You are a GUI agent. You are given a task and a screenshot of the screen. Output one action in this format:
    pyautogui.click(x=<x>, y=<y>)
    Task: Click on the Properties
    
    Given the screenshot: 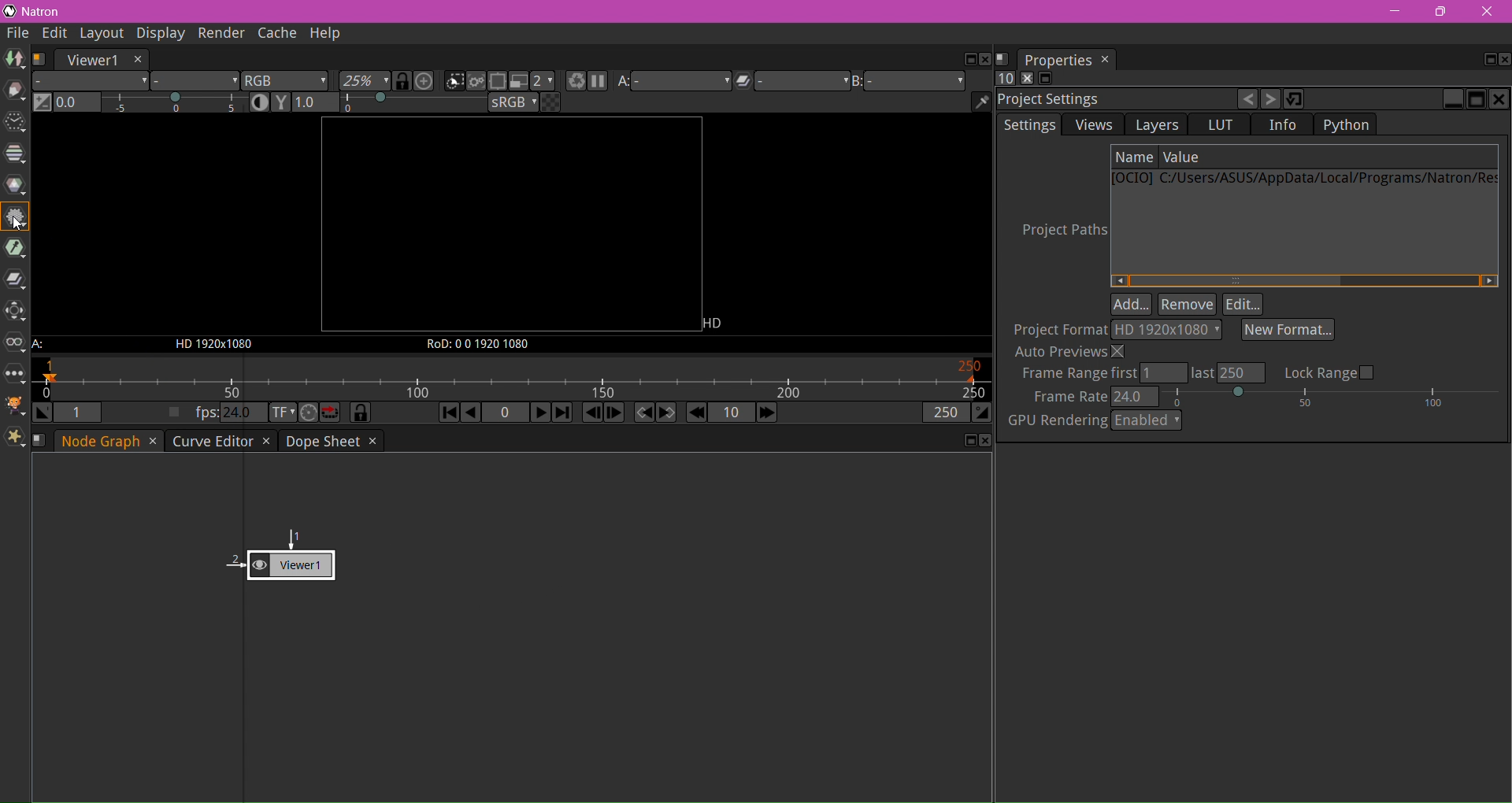 What is the action you would take?
    pyautogui.click(x=1057, y=60)
    